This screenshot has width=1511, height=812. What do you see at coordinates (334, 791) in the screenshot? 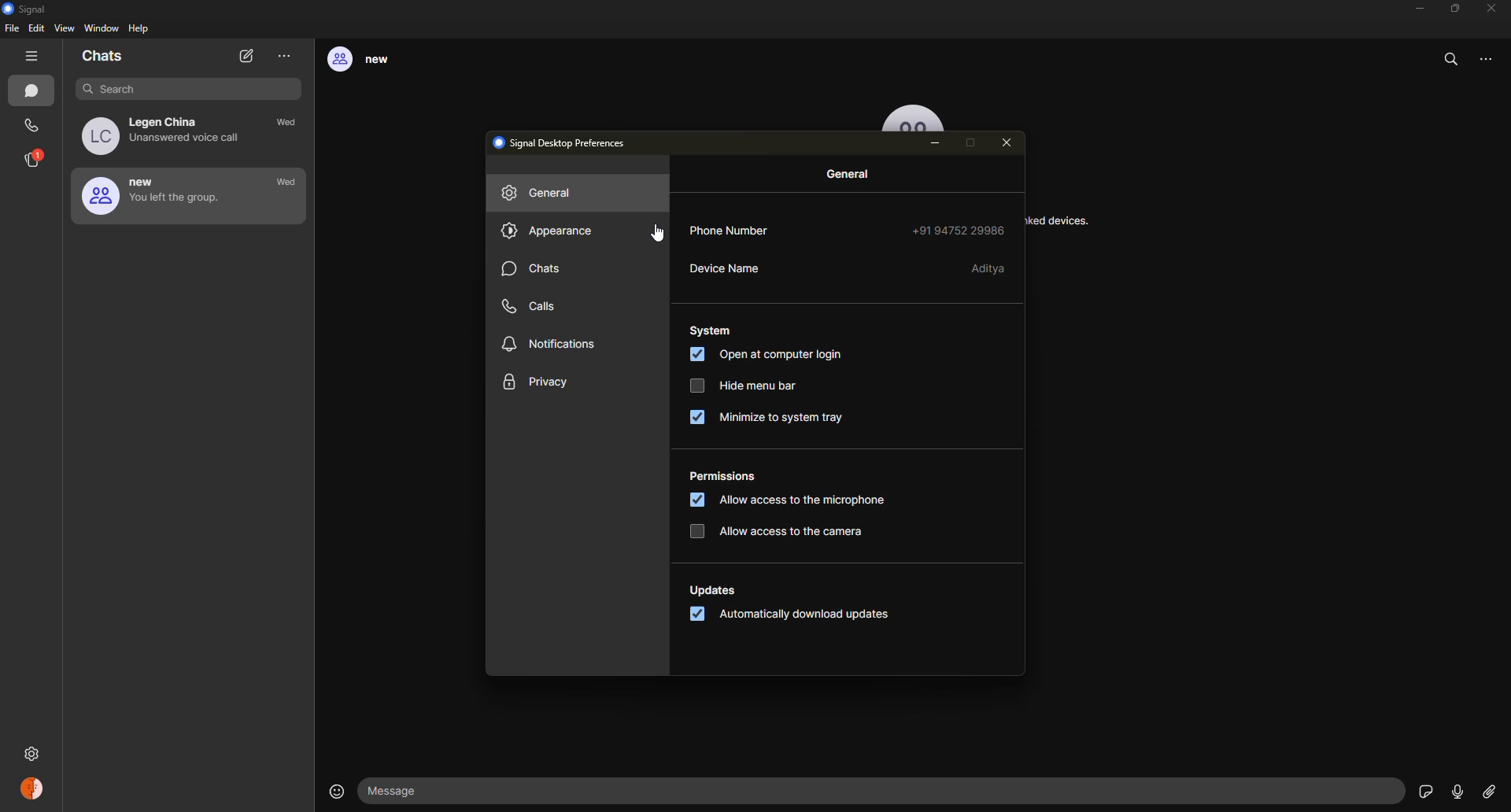
I see `smilley` at bounding box center [334, 791].